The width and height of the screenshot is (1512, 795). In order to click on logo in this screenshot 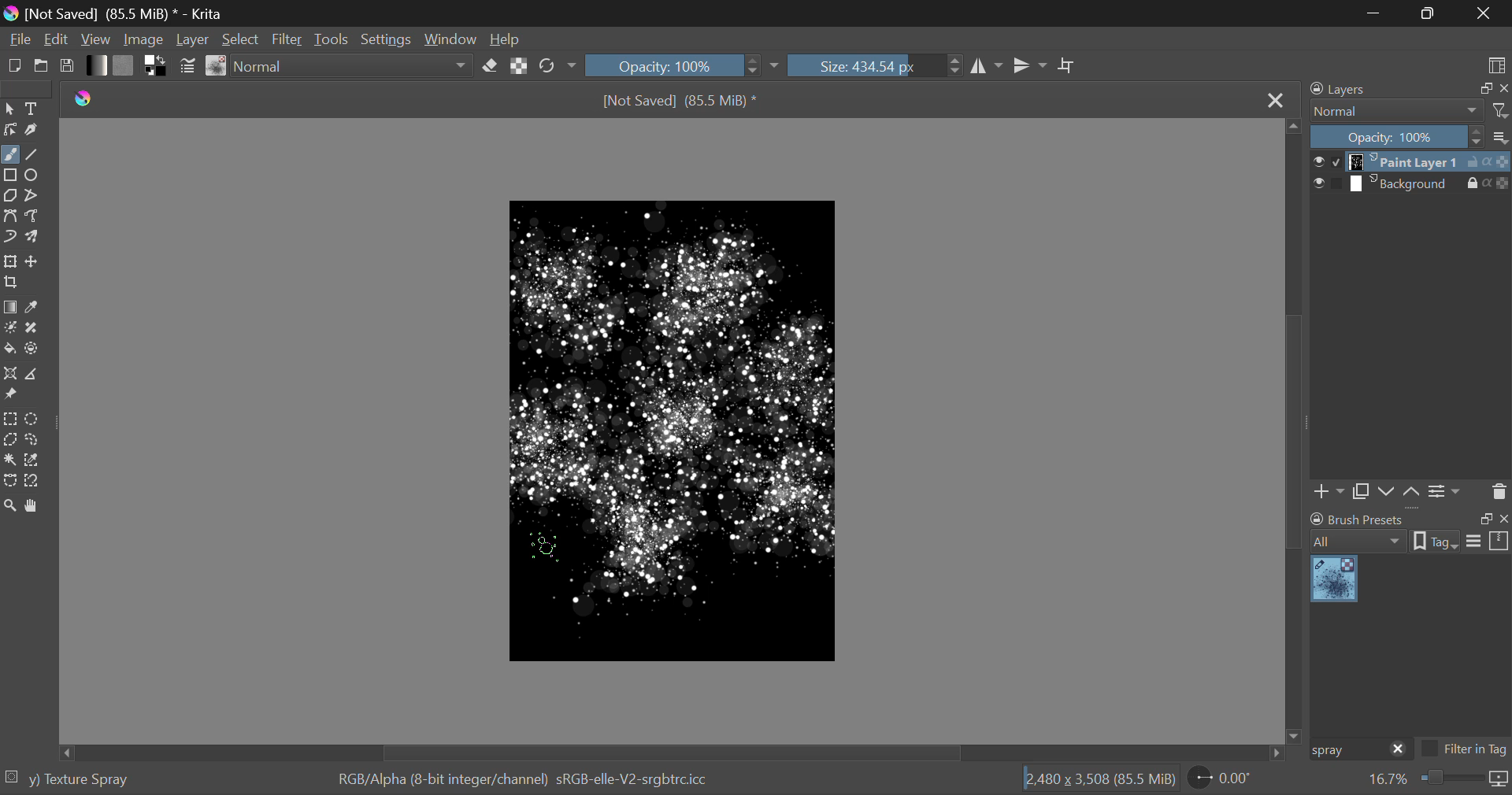, I will do `click(13, 15)`.